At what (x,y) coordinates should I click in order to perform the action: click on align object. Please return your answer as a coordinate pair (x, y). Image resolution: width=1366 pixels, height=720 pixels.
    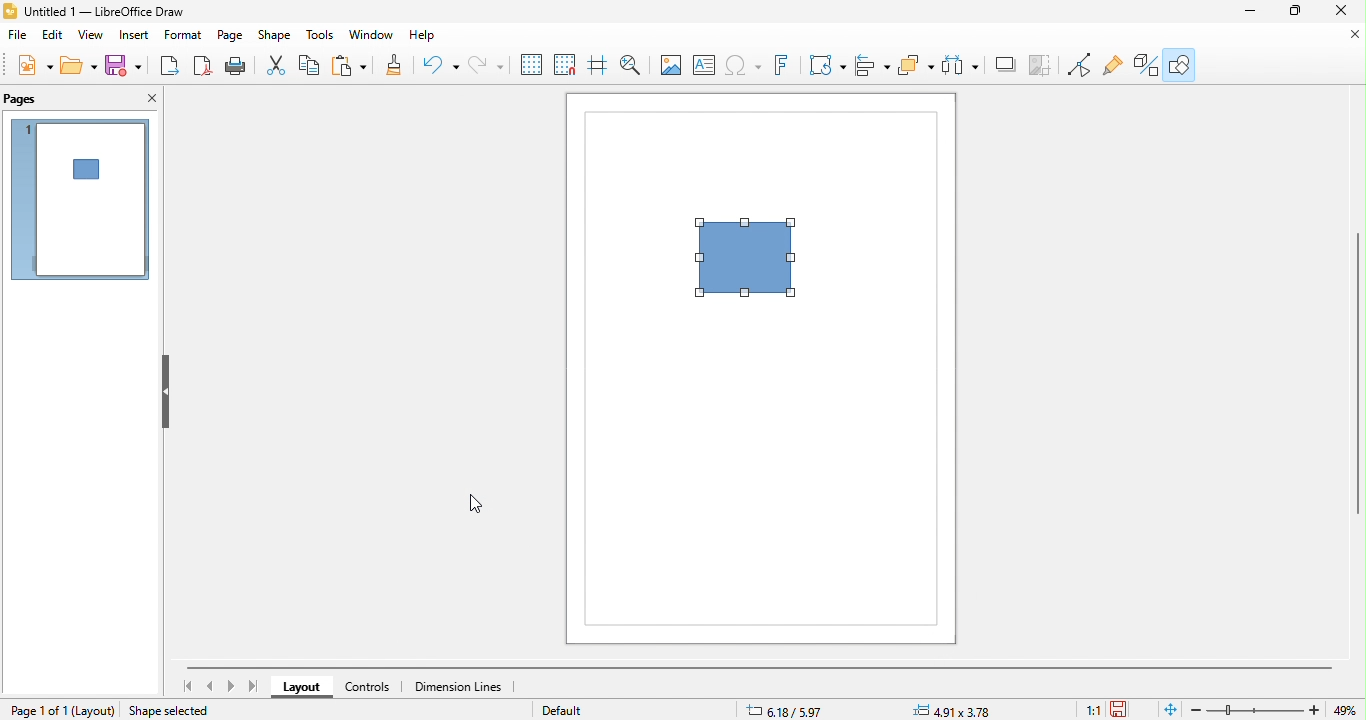
    Looking at the image, I should click on (872, 65).